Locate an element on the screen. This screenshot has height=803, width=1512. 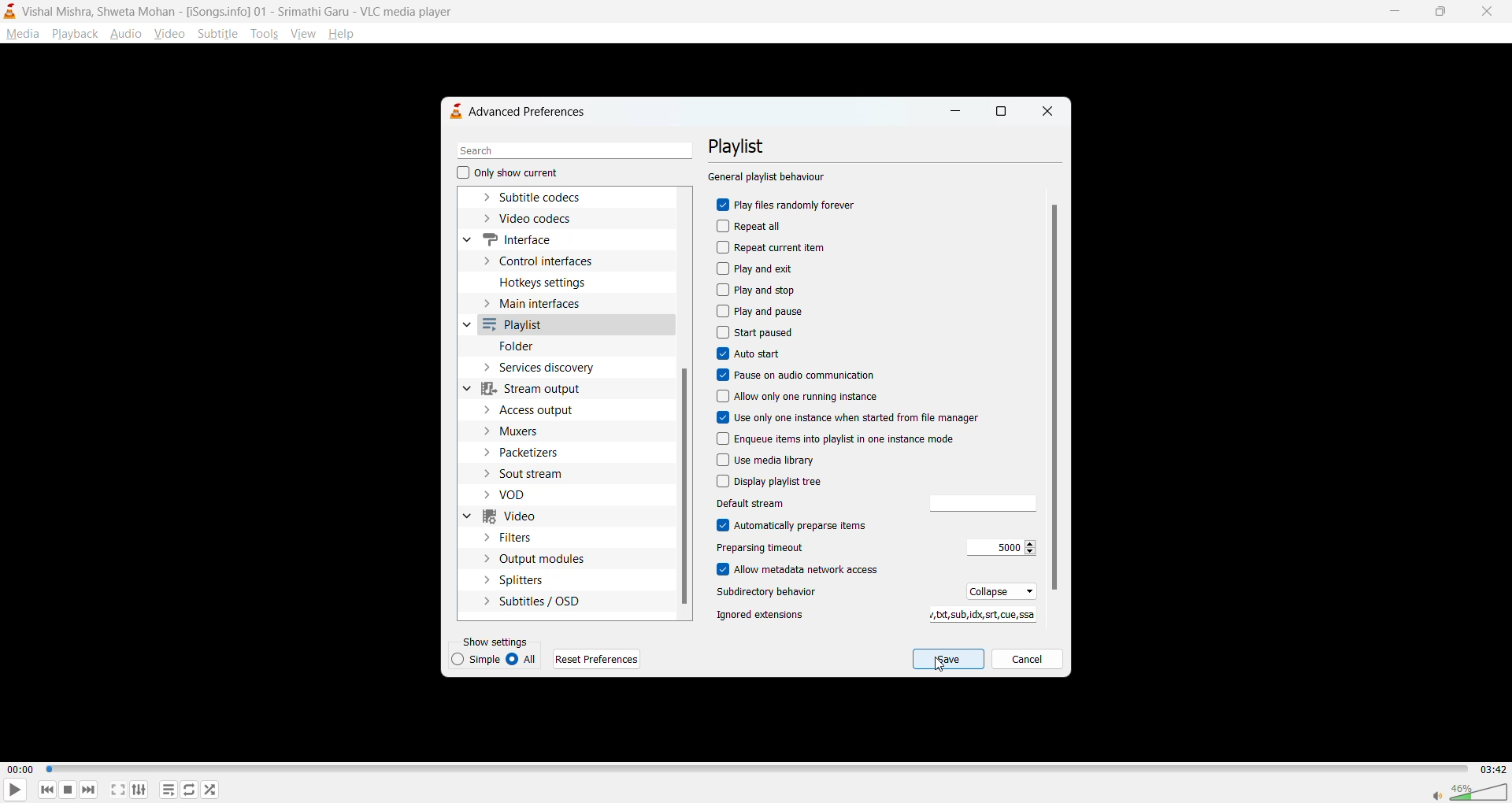
folder is located at coordinates (521, 347).